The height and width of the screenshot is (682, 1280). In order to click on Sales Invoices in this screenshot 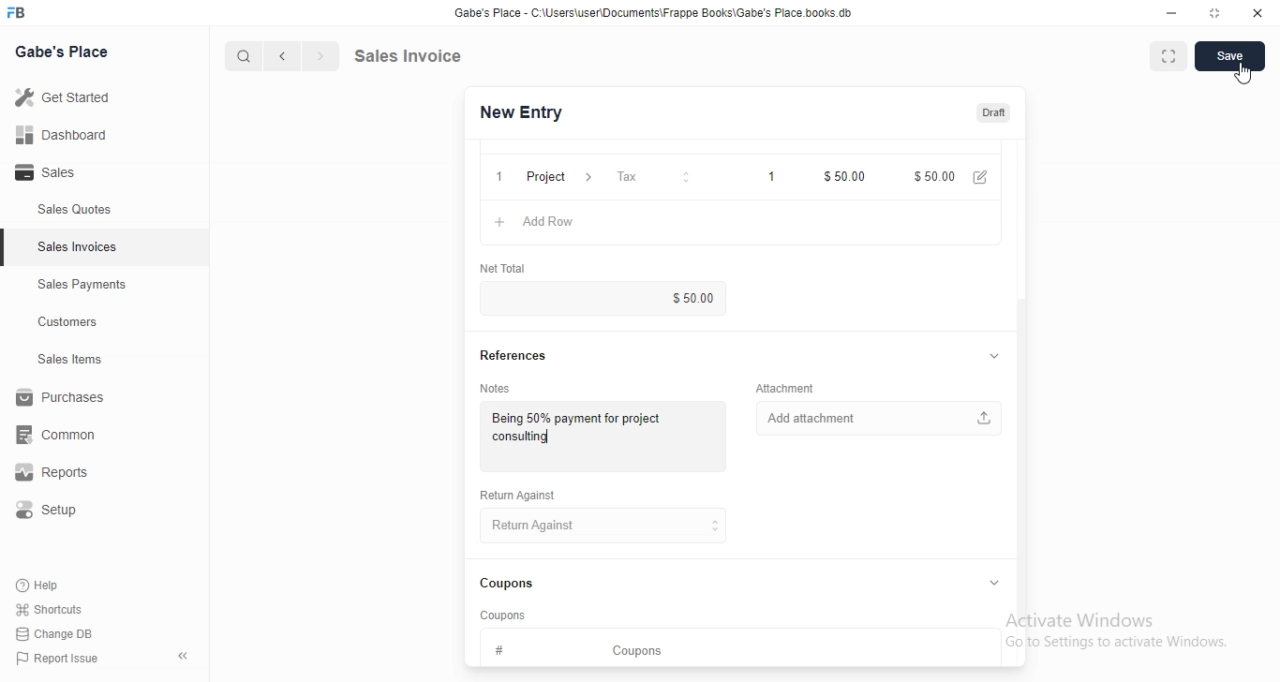, I will do `click(79, 247)`.